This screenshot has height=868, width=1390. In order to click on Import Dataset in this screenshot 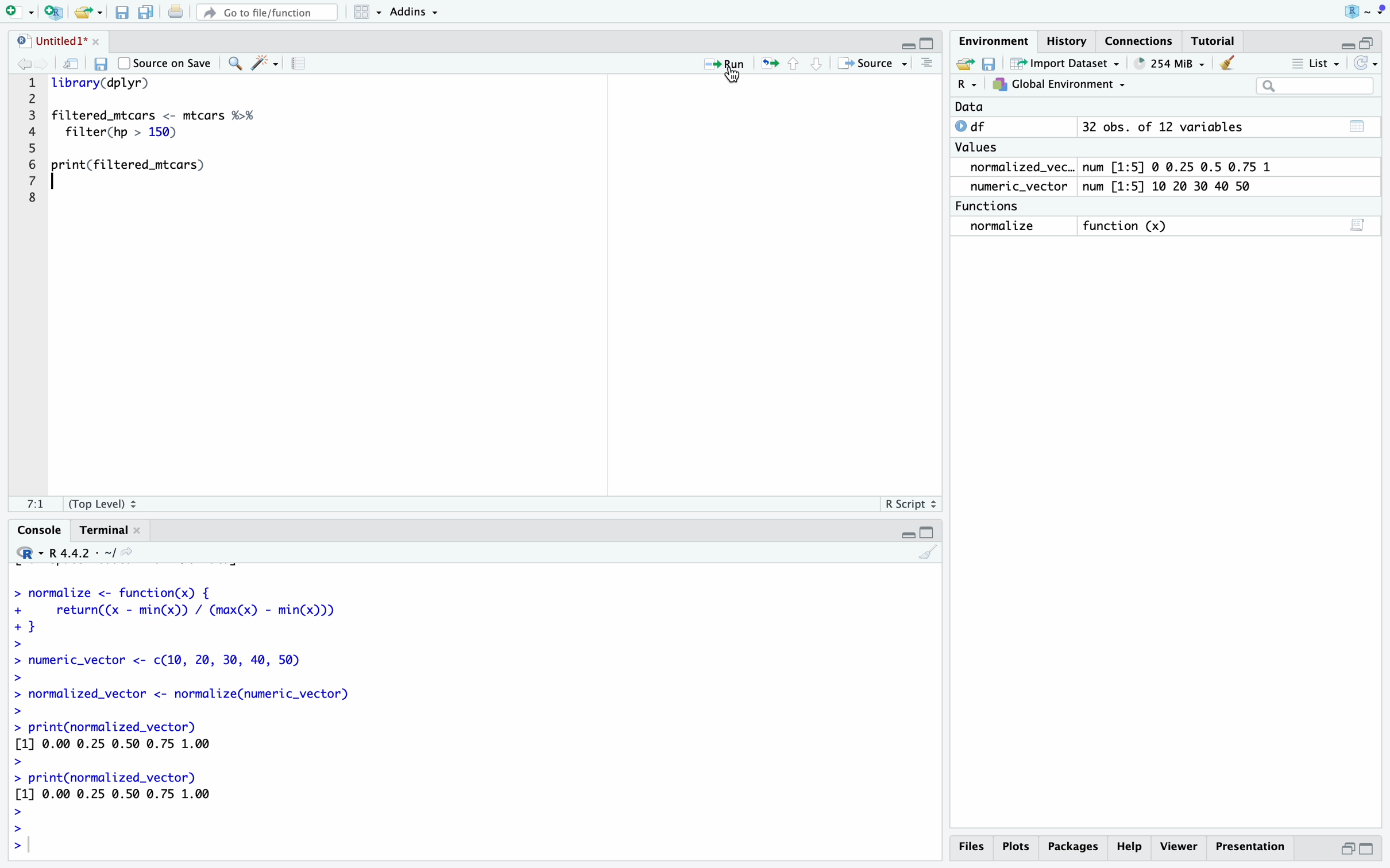, I will do `click(1067, 63)`.